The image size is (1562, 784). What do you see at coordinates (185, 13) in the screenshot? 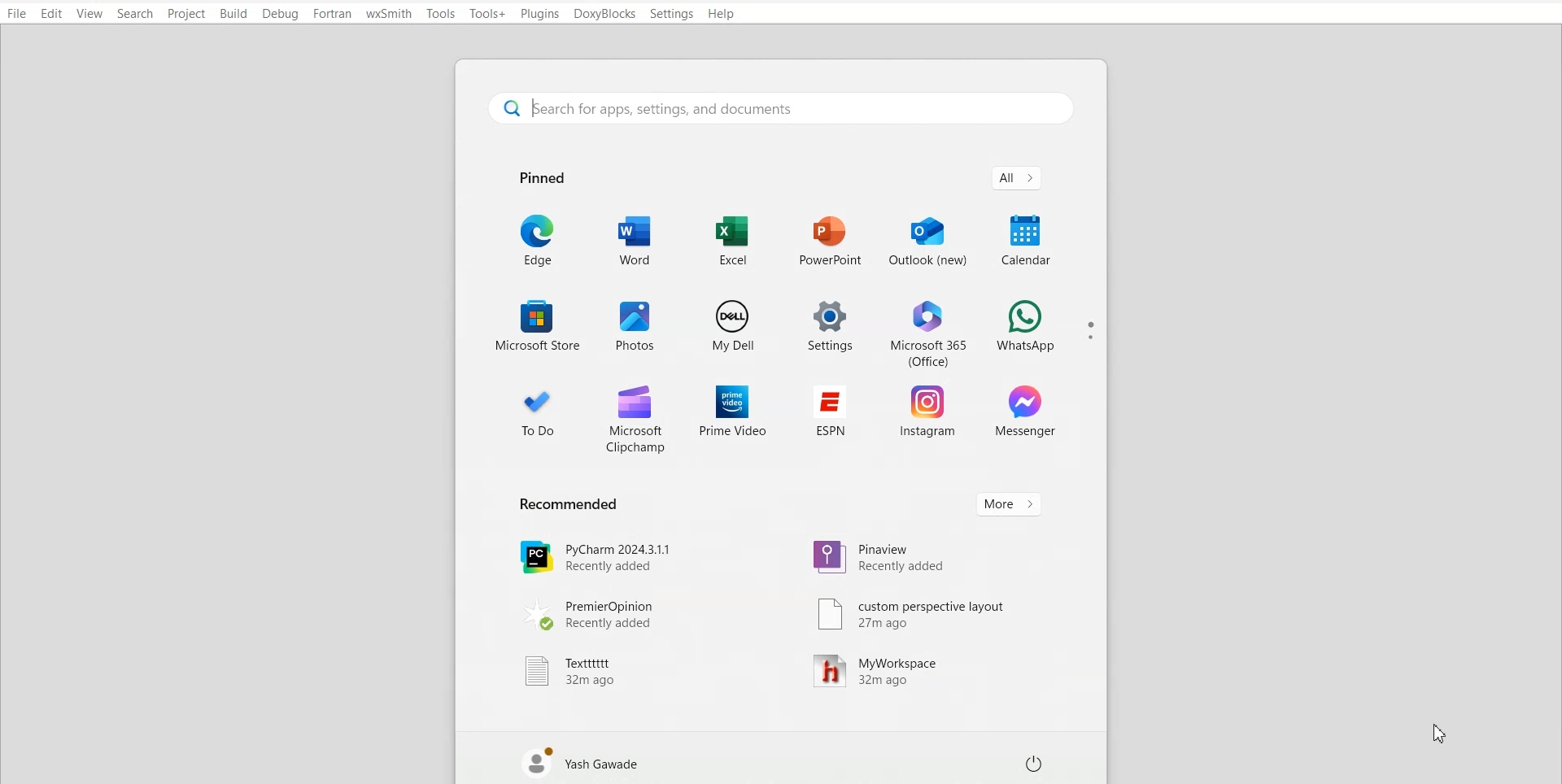
I see `Project` at bounding box center [185, 13].